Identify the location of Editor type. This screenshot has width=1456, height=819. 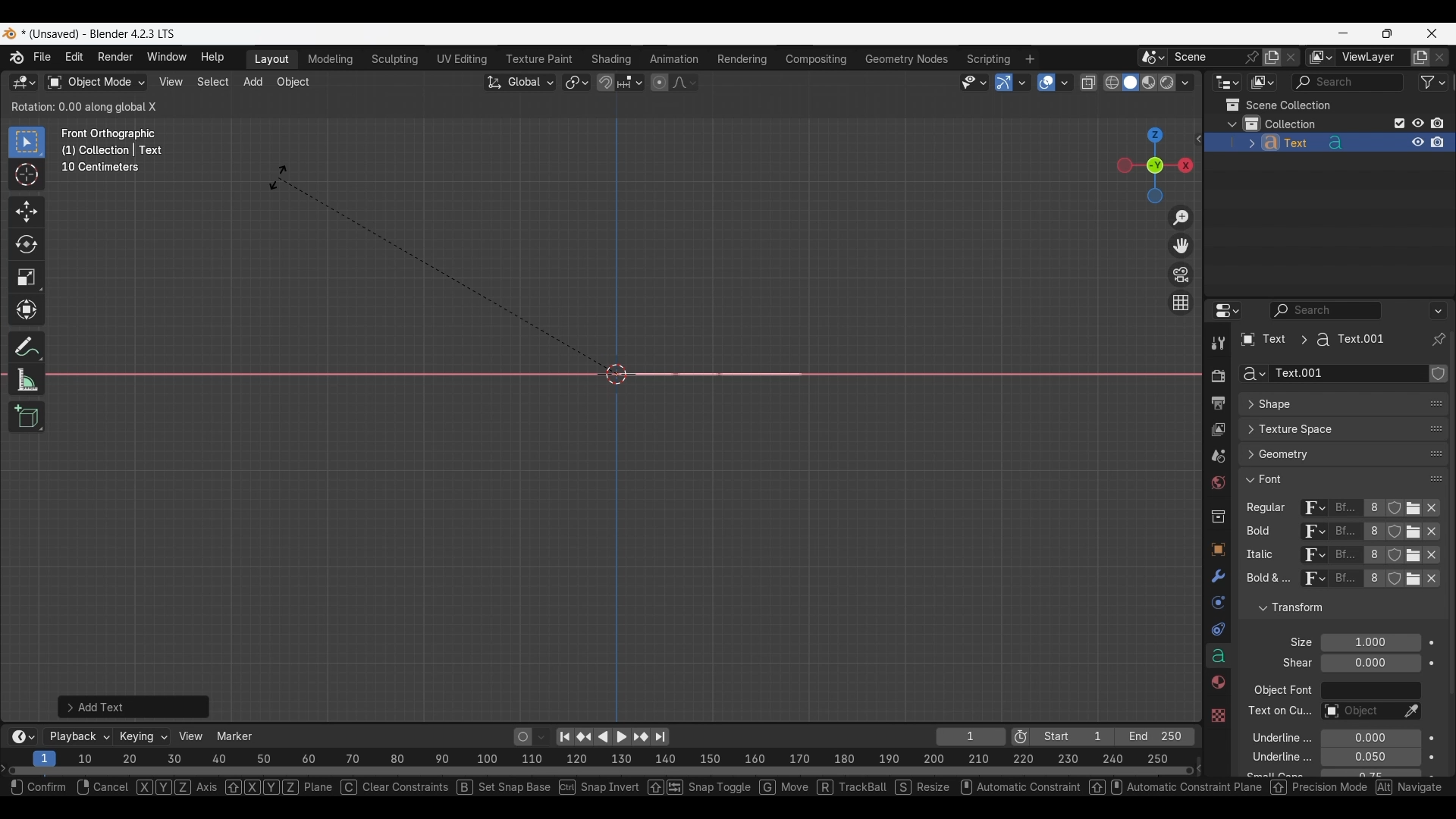
(1227, 310).